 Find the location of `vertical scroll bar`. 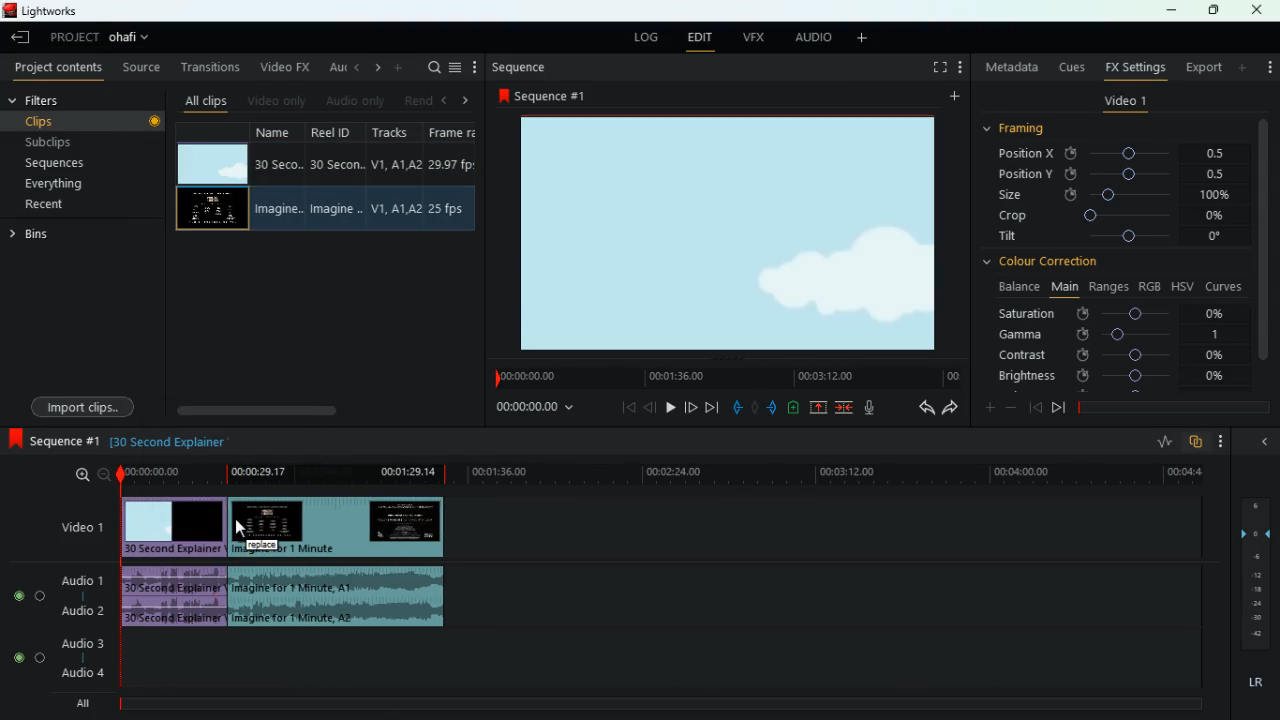

vertical scroll bar is located at coordinates (1264, 253).